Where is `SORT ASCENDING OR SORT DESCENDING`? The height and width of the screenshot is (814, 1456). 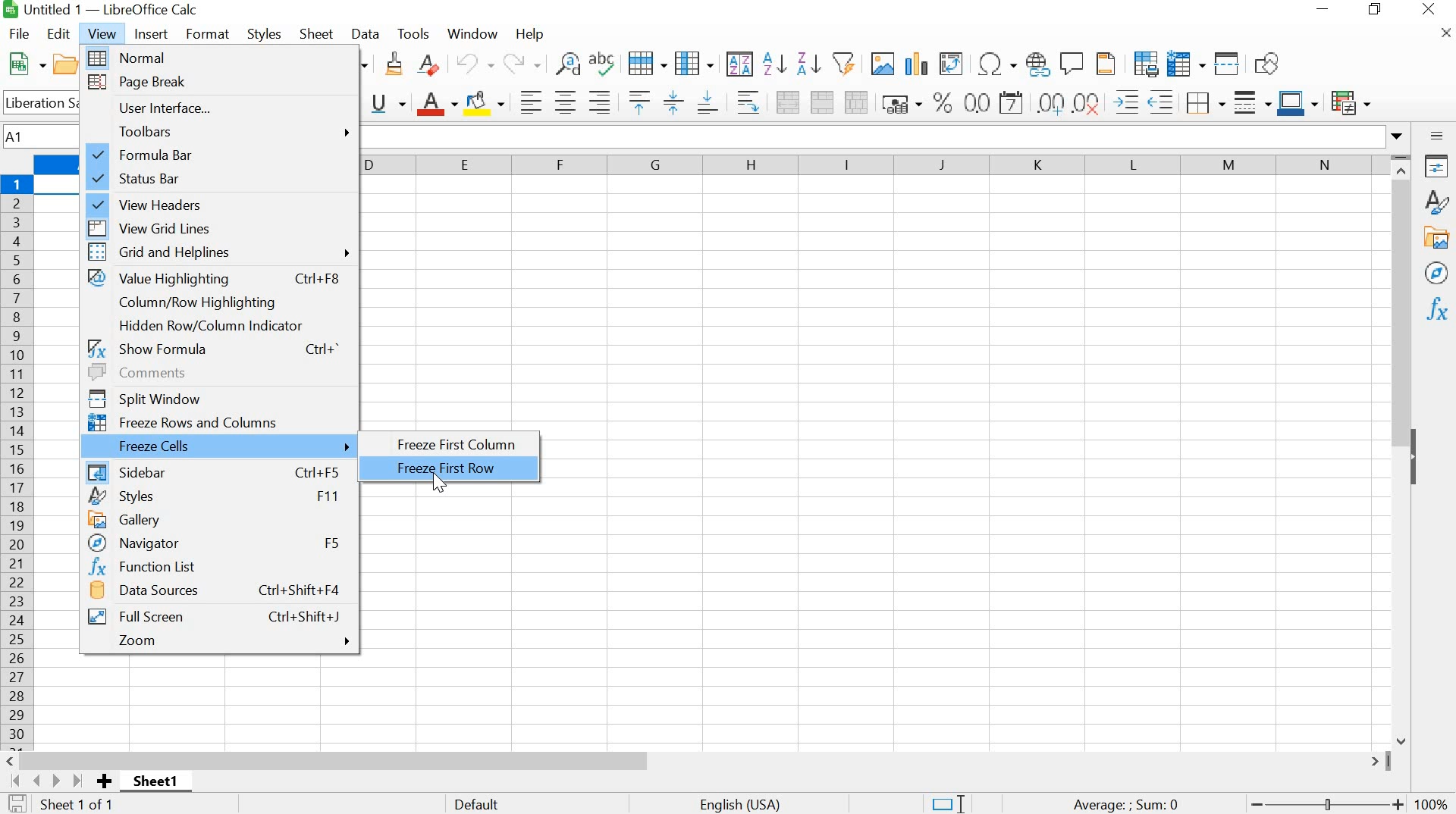
SORT ASCENDING OR SORT DESCENDING is located at coordinates (792, 64).